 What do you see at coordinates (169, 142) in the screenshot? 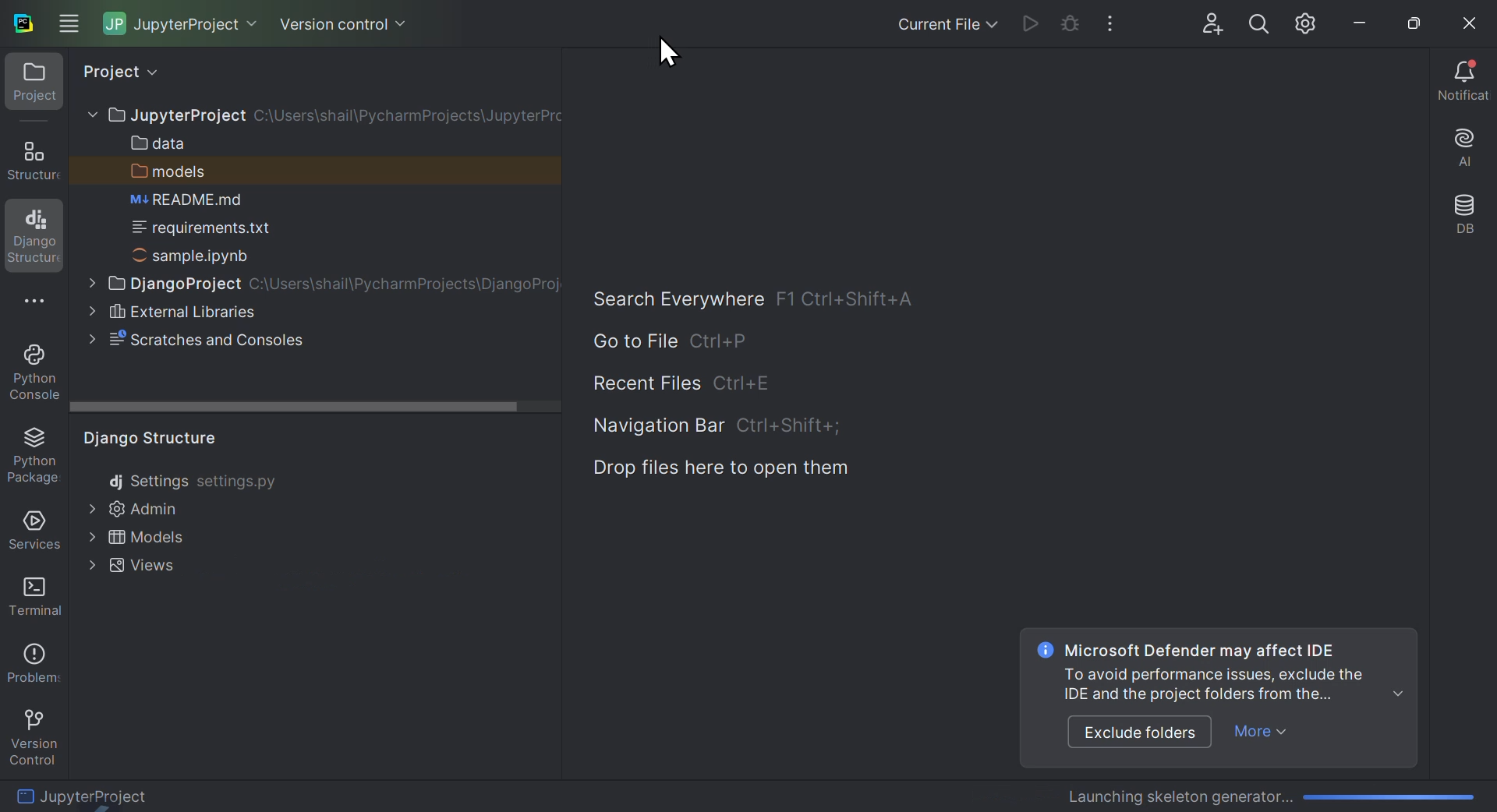
I see `data` at bounding box center [169, 142].